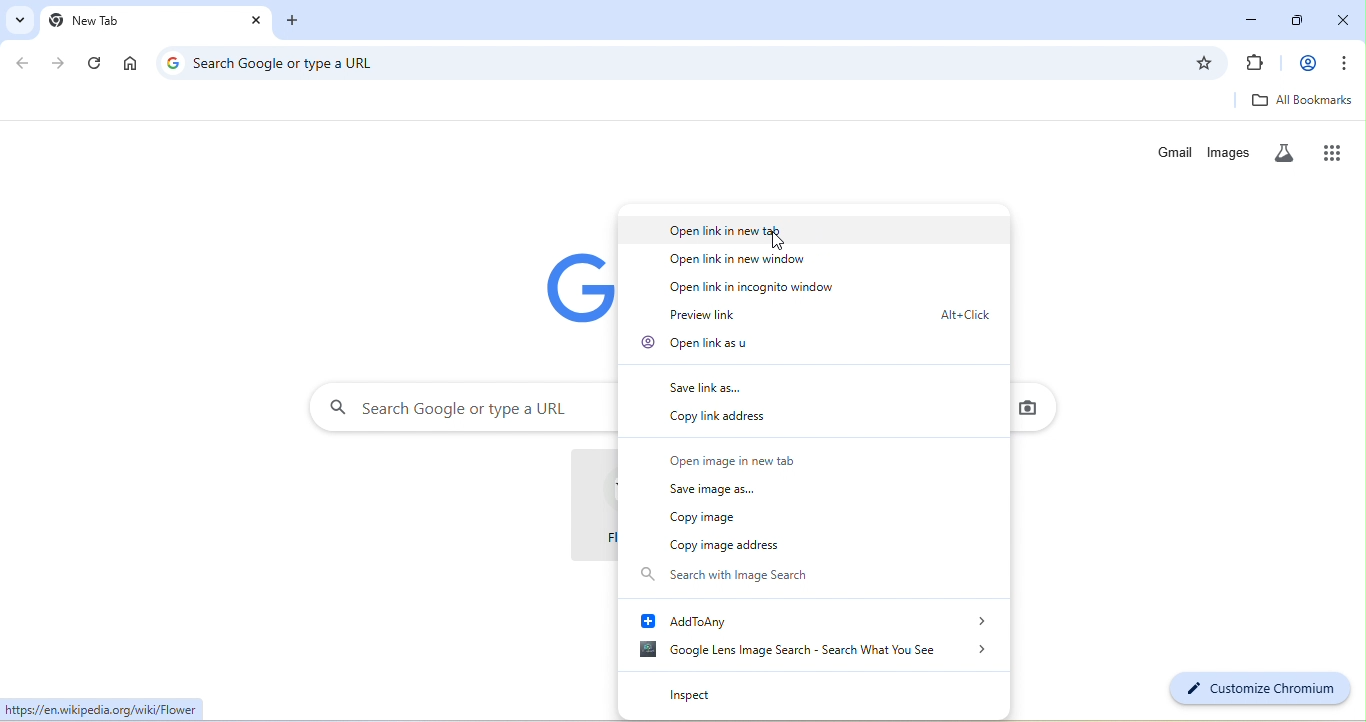  What do you see at coordinates (1302, 17) in the screenshot?
I see `maximize` at bounding box center [1302, 17].